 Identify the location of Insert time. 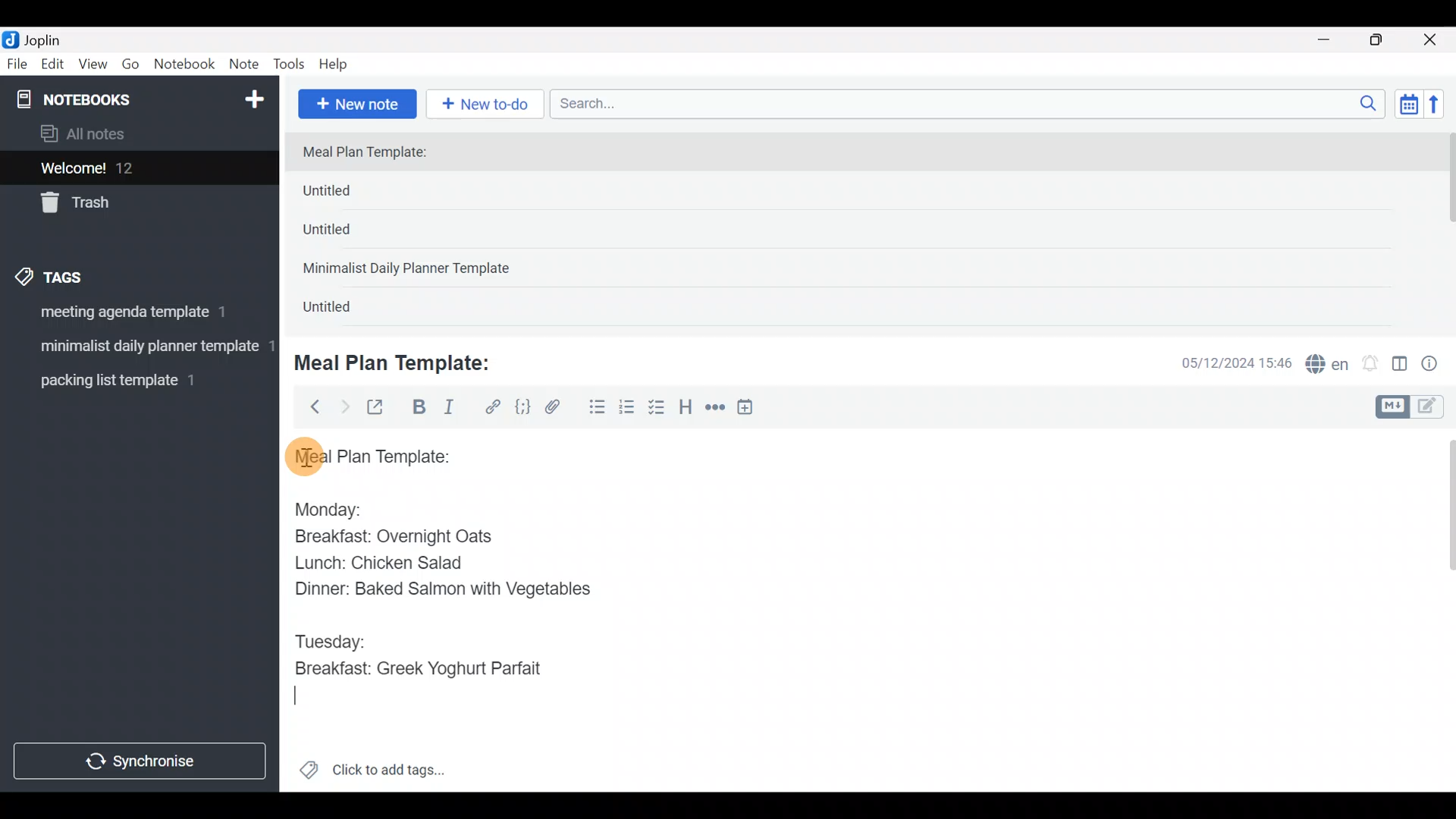
(752, 409).